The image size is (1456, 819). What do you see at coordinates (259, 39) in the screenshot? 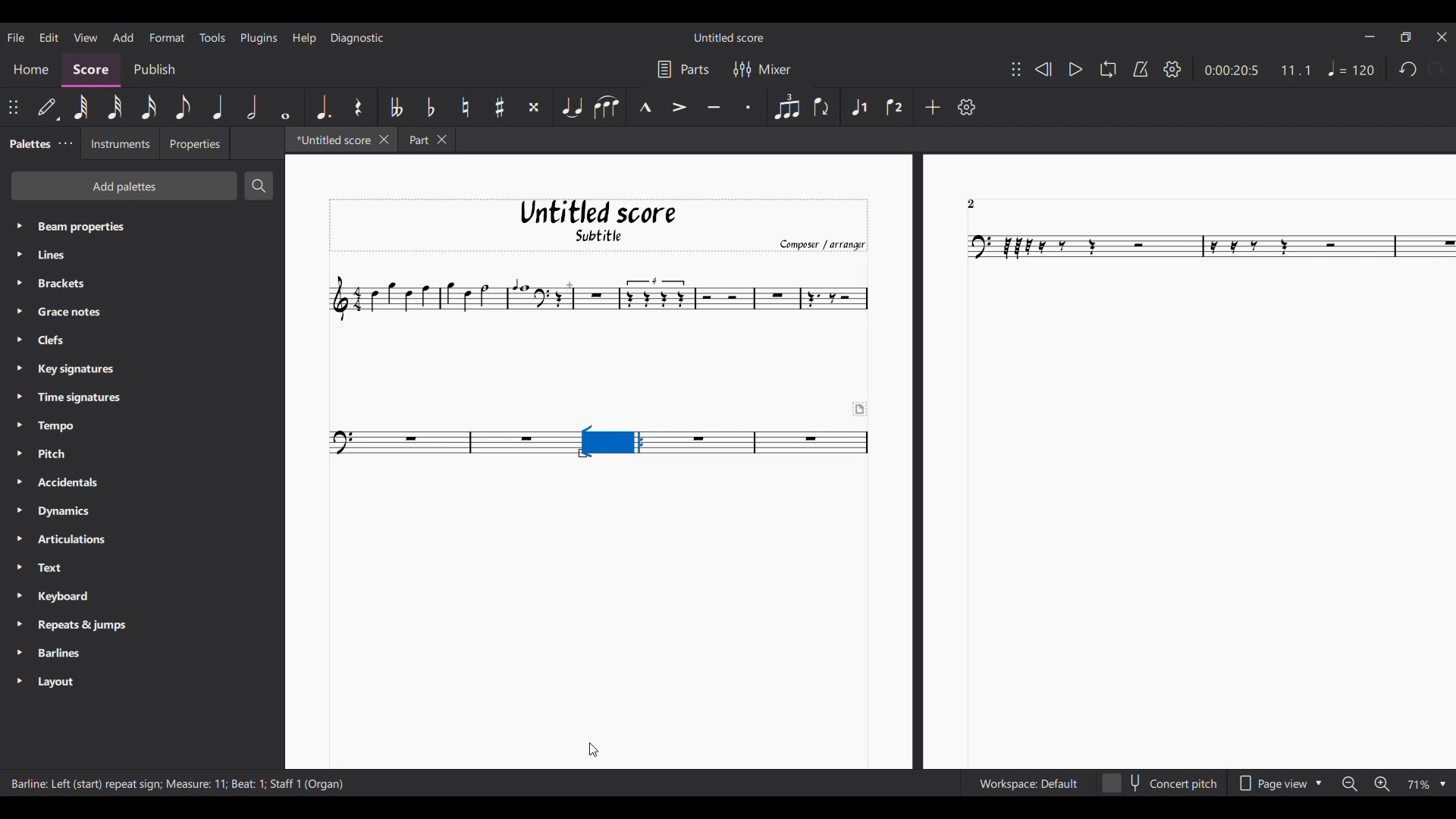
I see `Plugins menu` at bounding box center [259, 39].